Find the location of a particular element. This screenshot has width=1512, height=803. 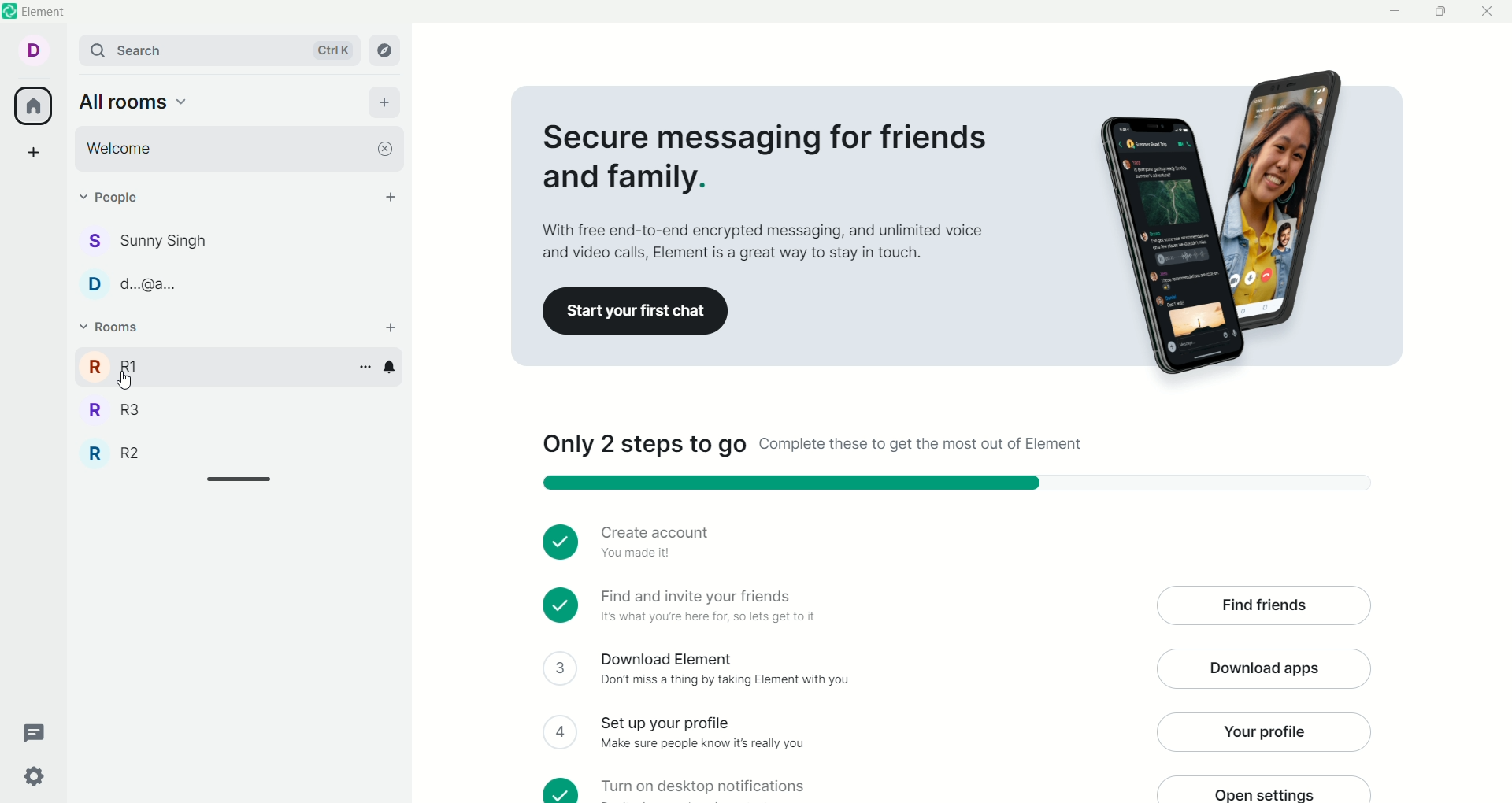

d...@a... chat is located at coordinates (132, 284).